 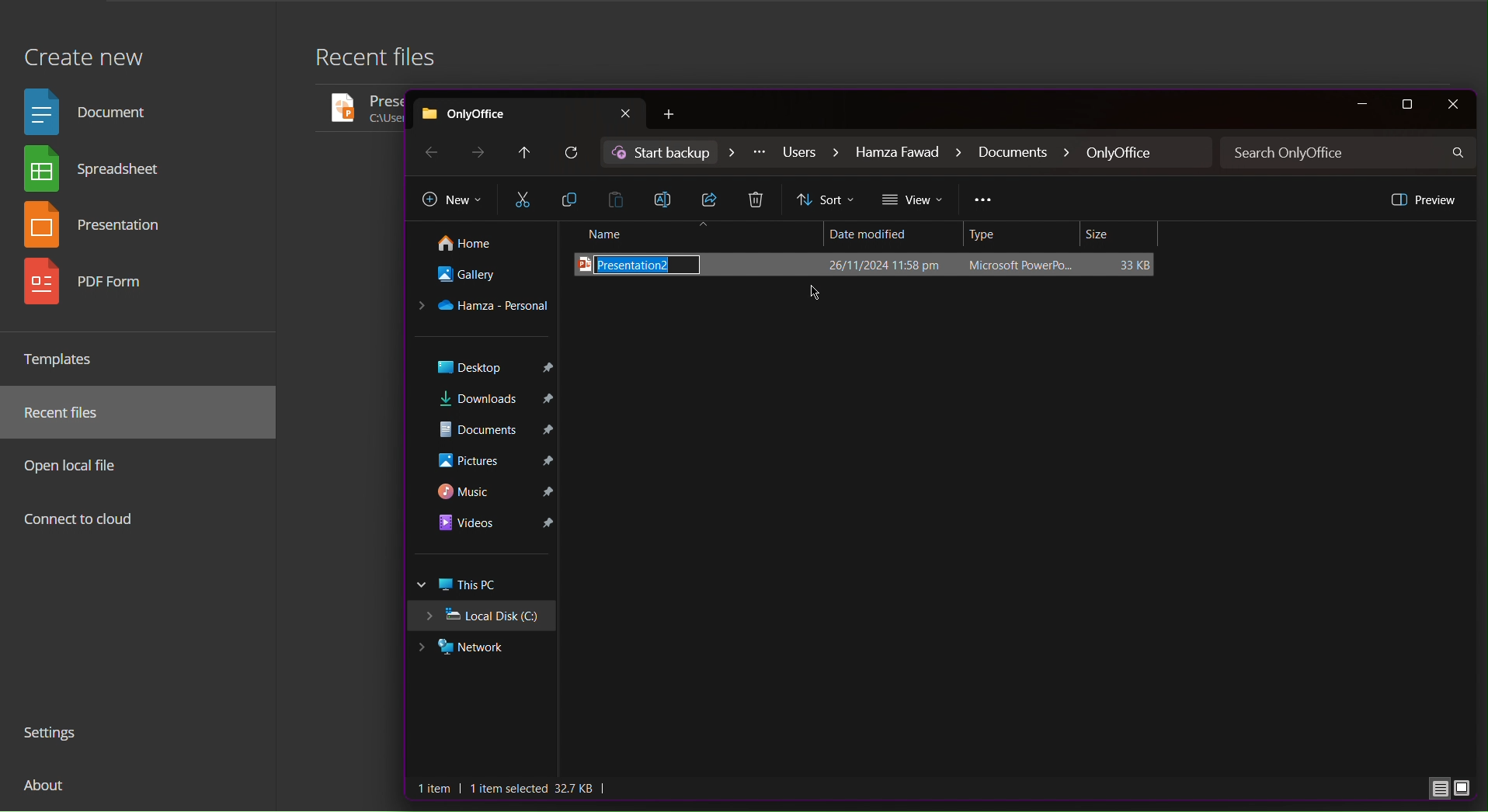 What do you see at coordinates (523, 153) in the screenshot?
I see `Go up directory` at bounding box center [523, 153].